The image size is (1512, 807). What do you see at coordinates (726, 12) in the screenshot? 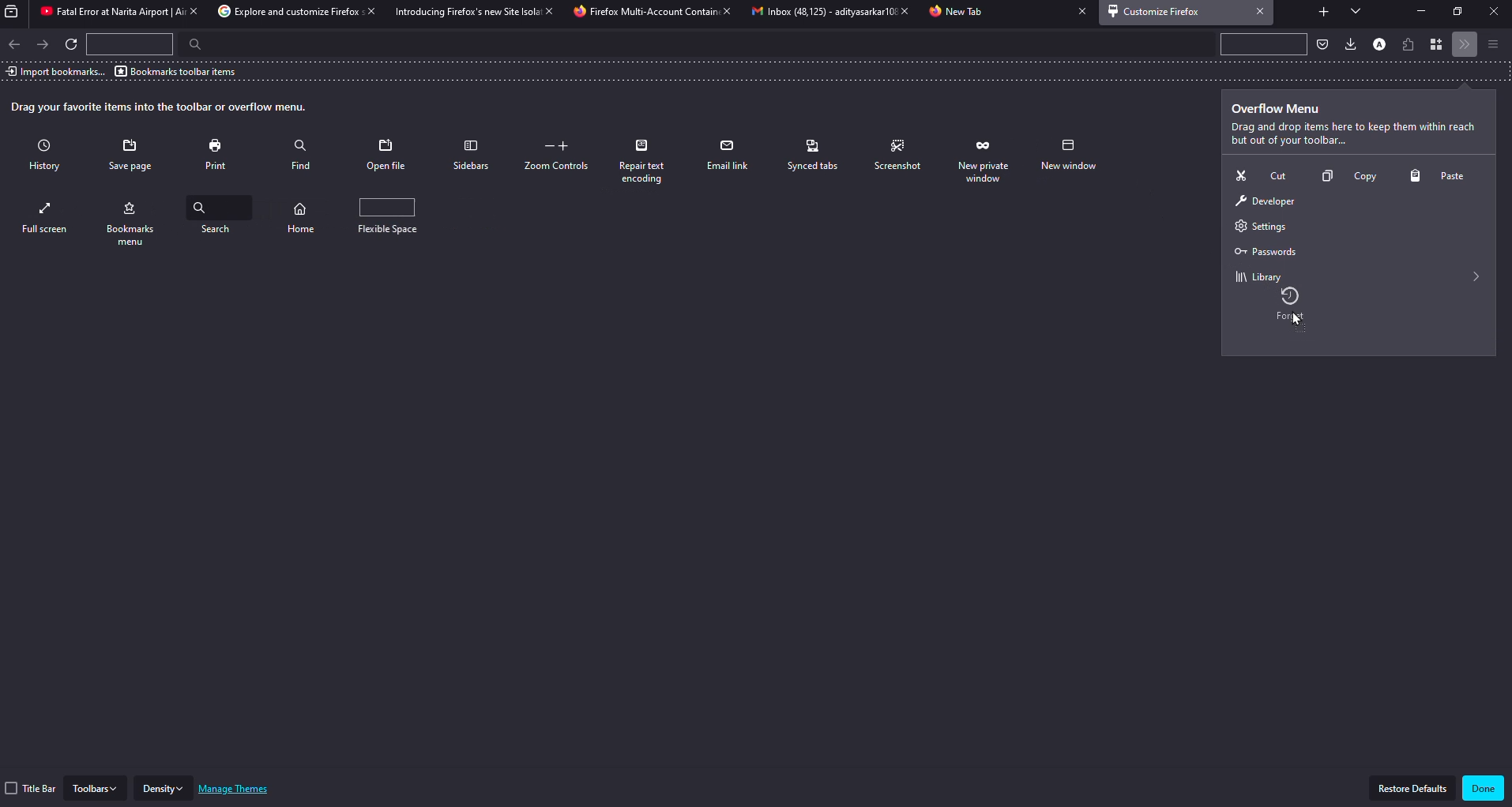
I see `close` at bounding box center [726, 12].